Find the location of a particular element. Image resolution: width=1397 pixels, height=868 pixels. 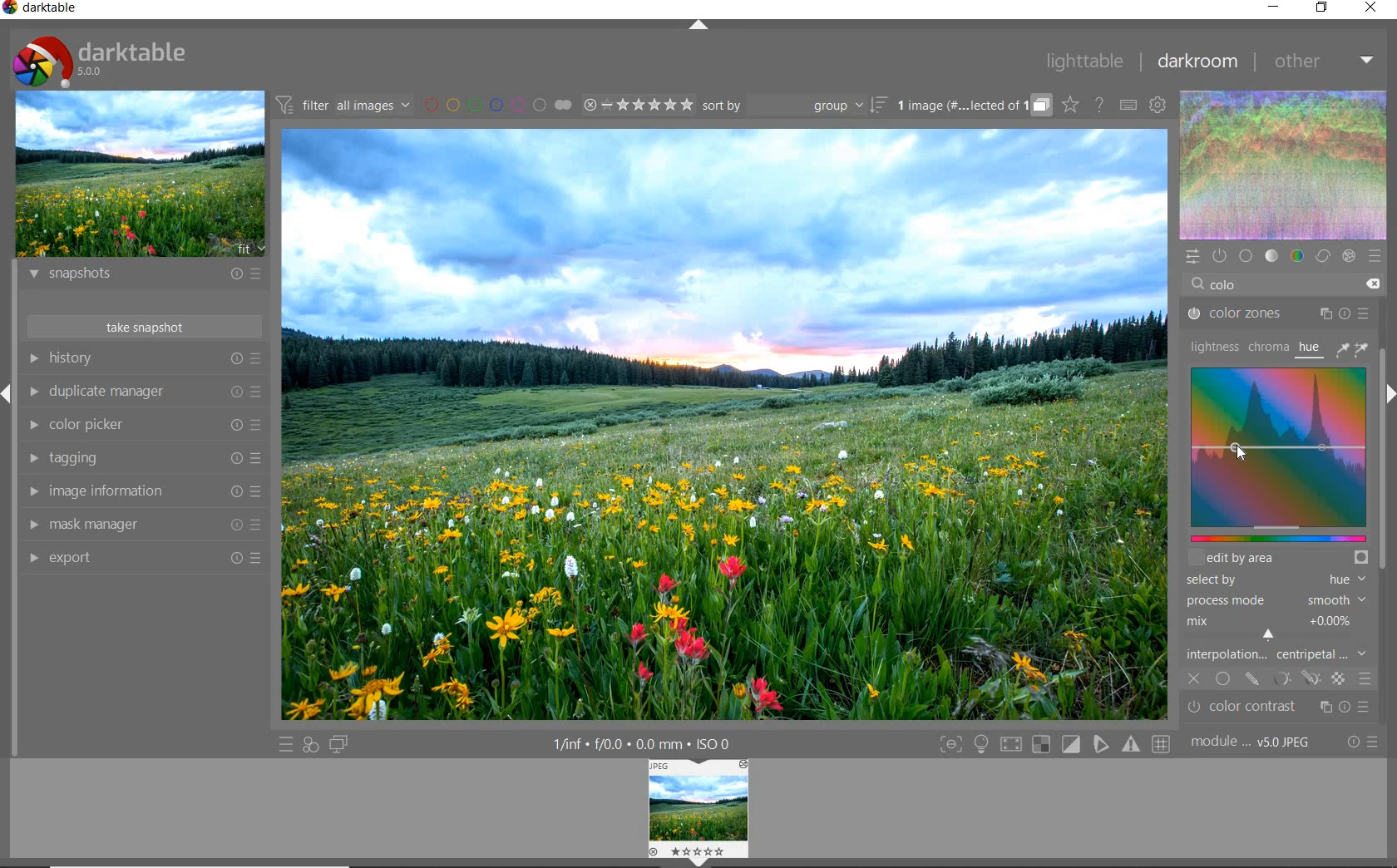

show global preferences is located at coordinates (1156, 105).